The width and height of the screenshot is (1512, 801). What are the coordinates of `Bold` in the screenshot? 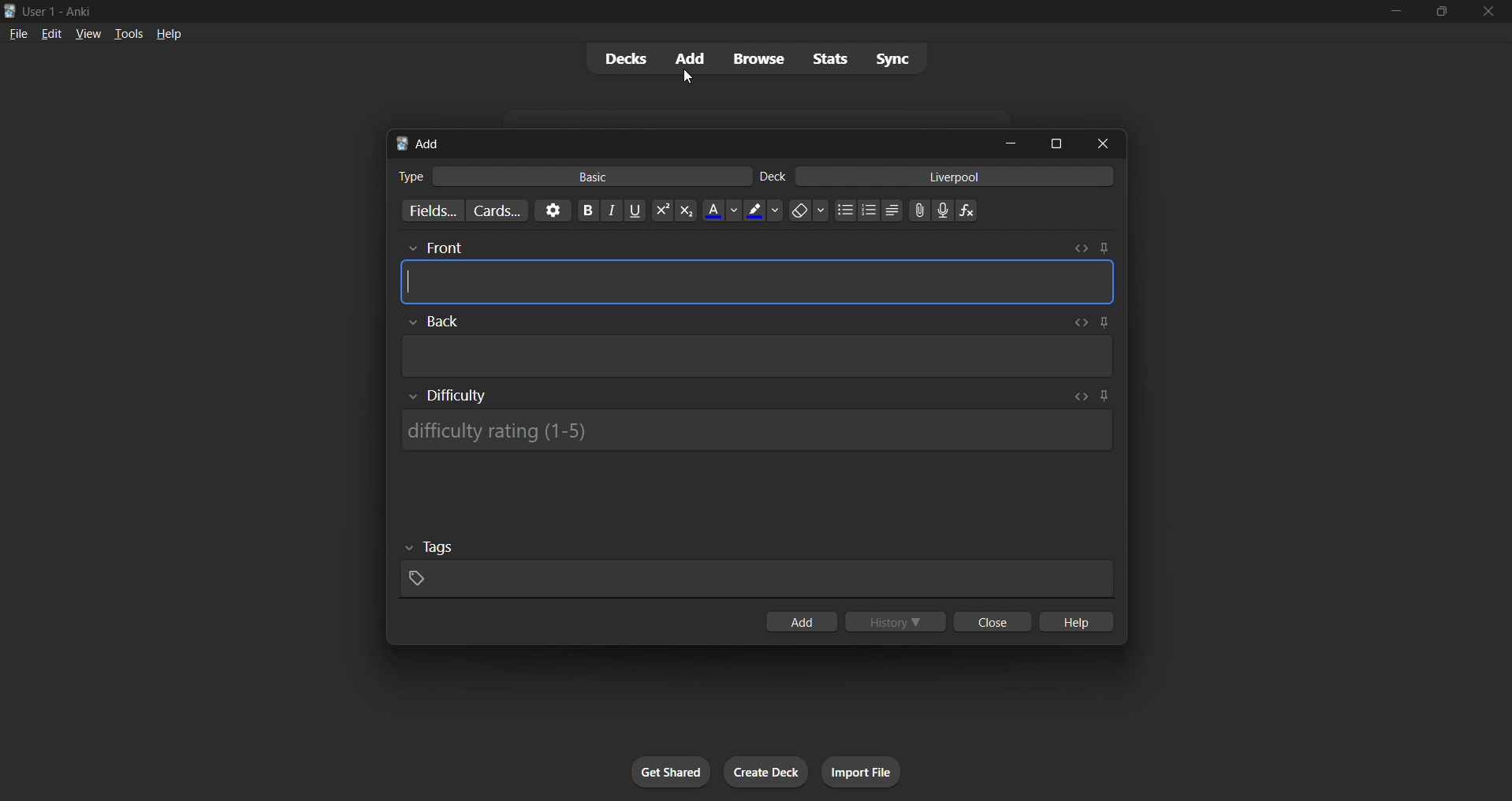 It's located at (587, 209).